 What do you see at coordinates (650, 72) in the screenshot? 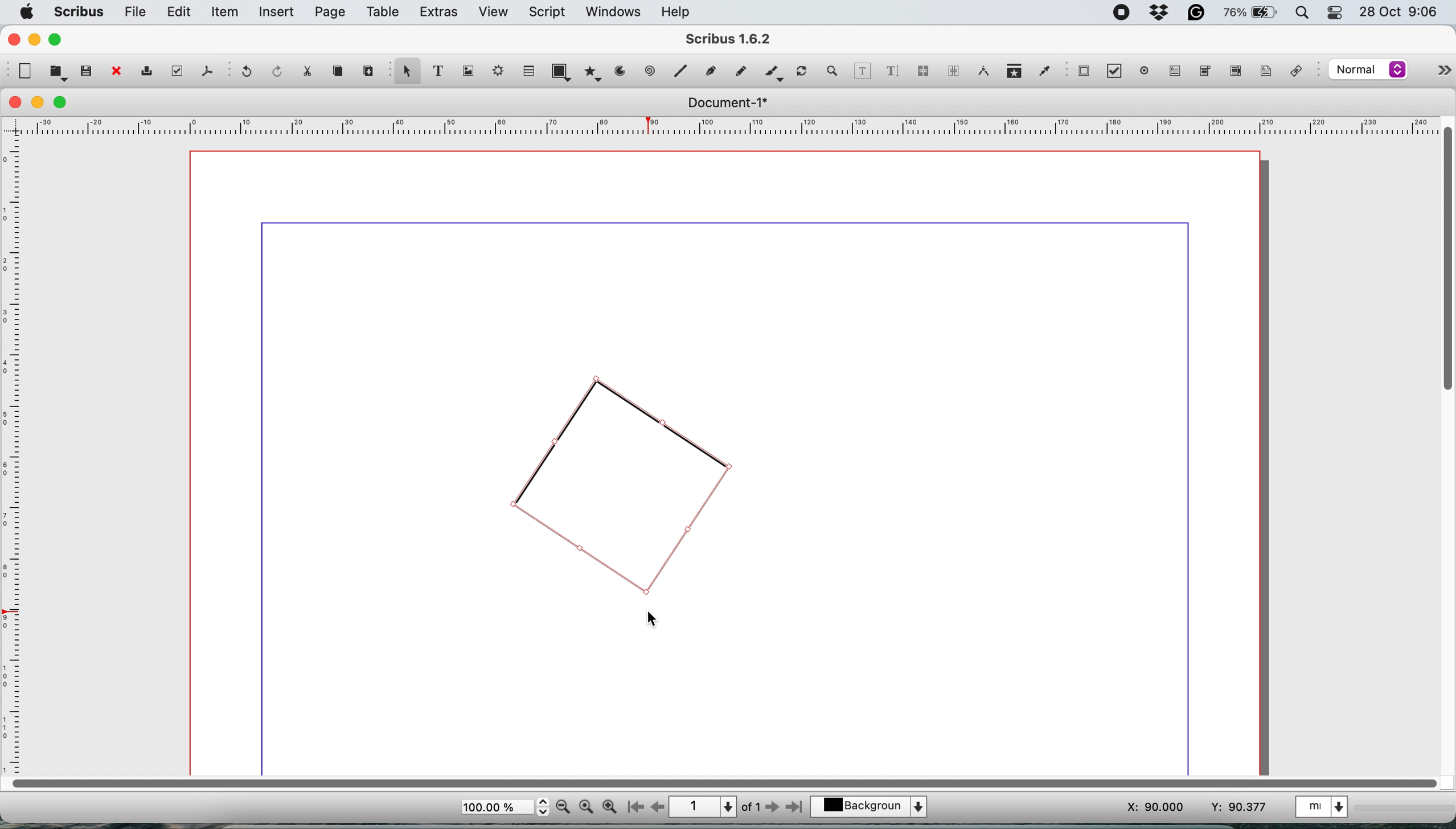
I see `line` at bounding box center [650, 72].